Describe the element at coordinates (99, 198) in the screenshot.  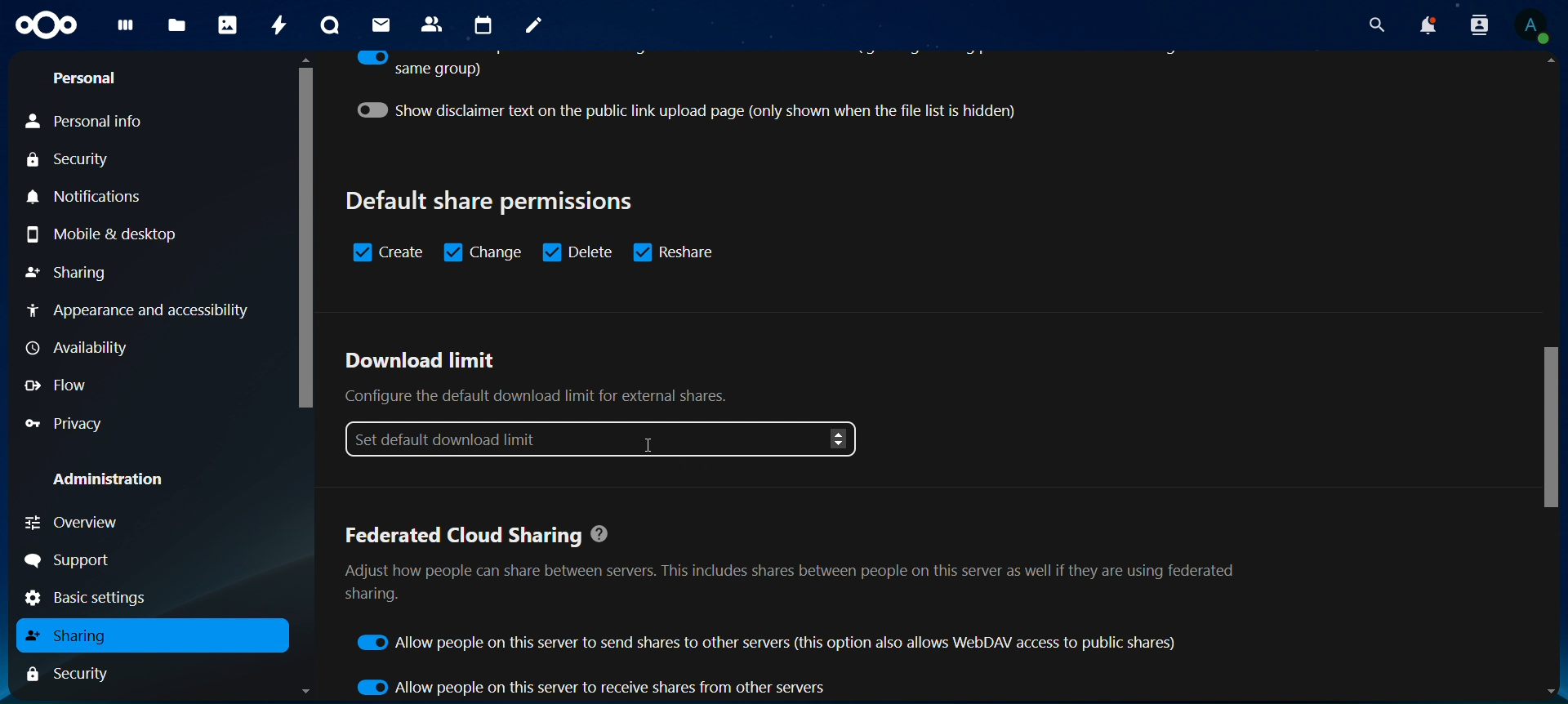
I see `notifications` at that location.